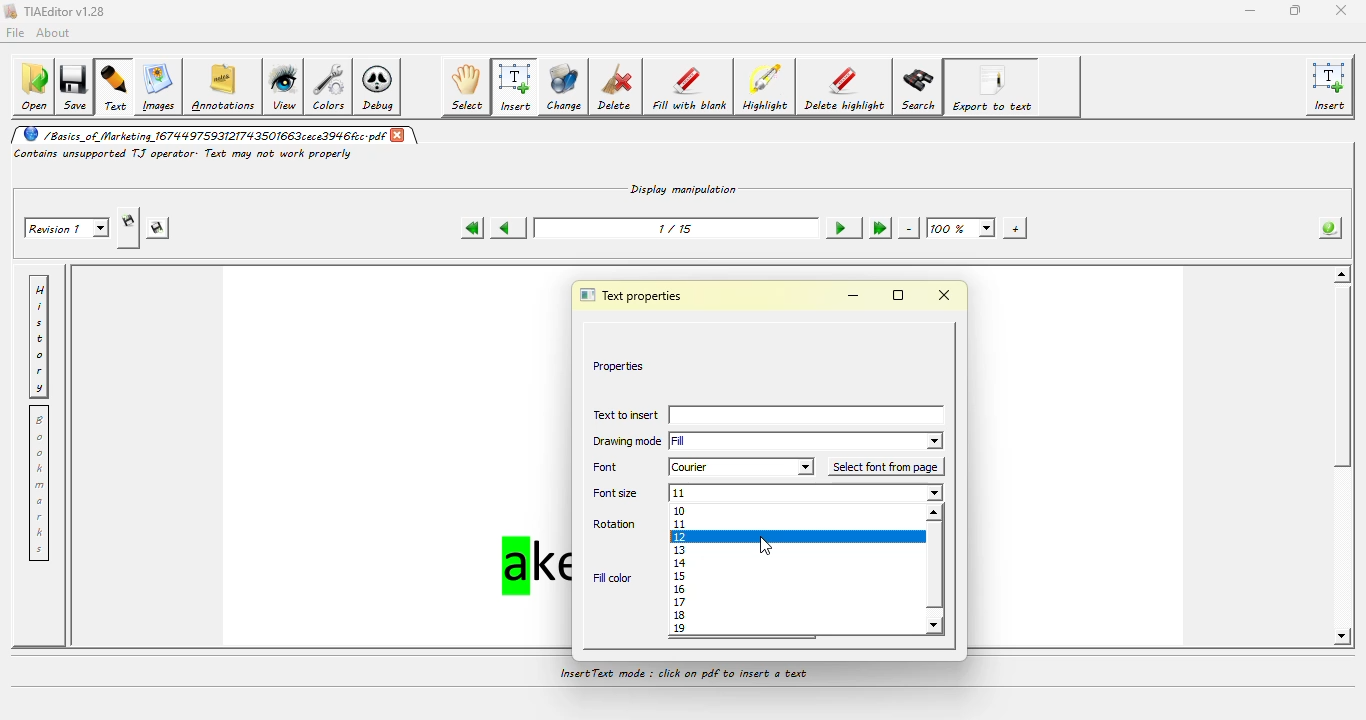 This screenshot has height=720, width=1366. I want to click on Text to insert, so click(624, 417).